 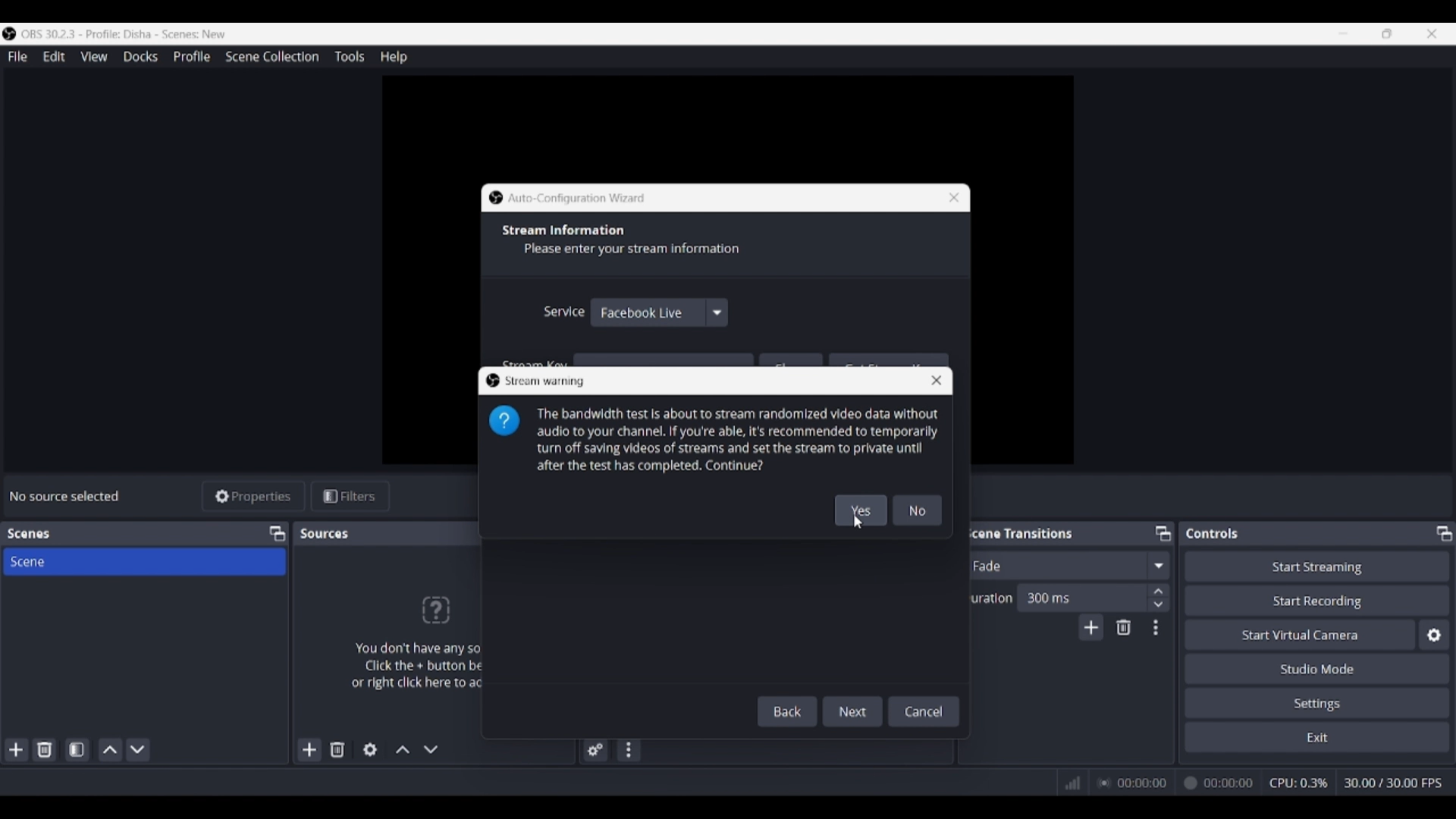 What do you see at coordinates (431, 749) in the screenshot?
I see `Move source down` at bounding box center [431, 749].